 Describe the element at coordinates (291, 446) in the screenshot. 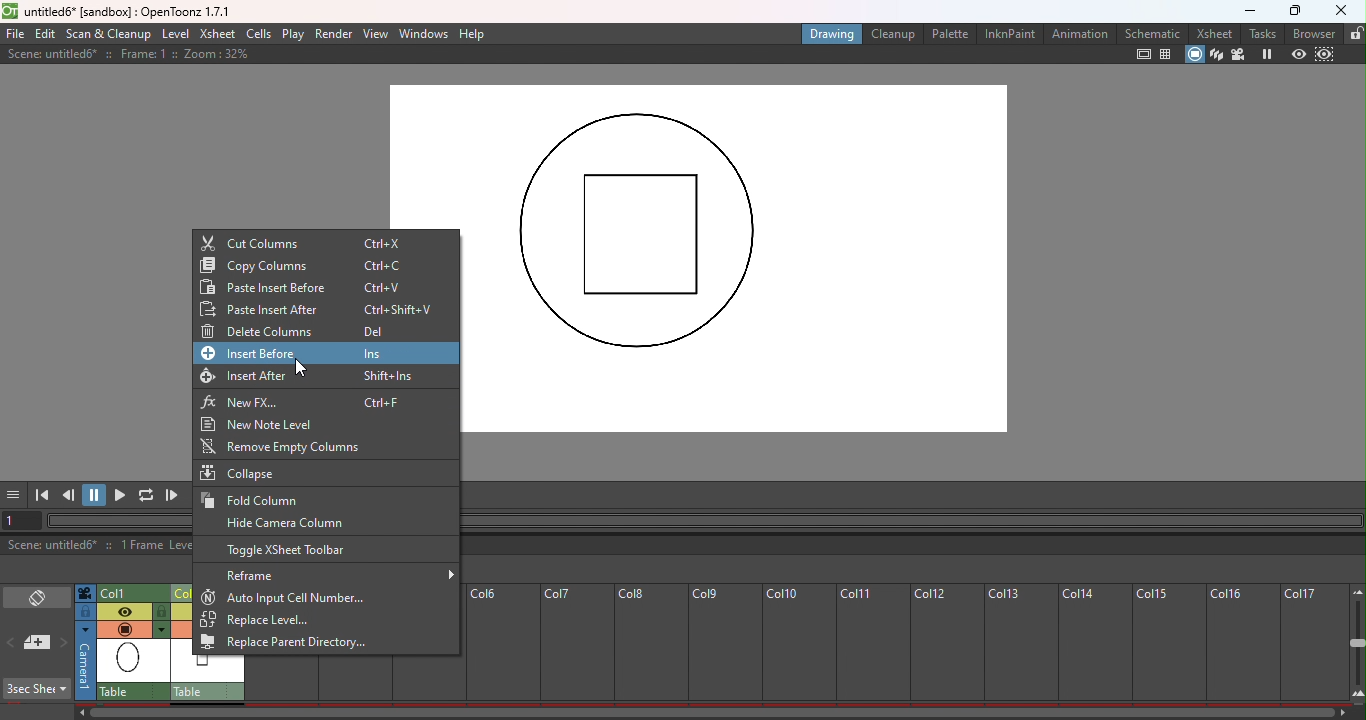

I see `Remove empty columns` at that location.